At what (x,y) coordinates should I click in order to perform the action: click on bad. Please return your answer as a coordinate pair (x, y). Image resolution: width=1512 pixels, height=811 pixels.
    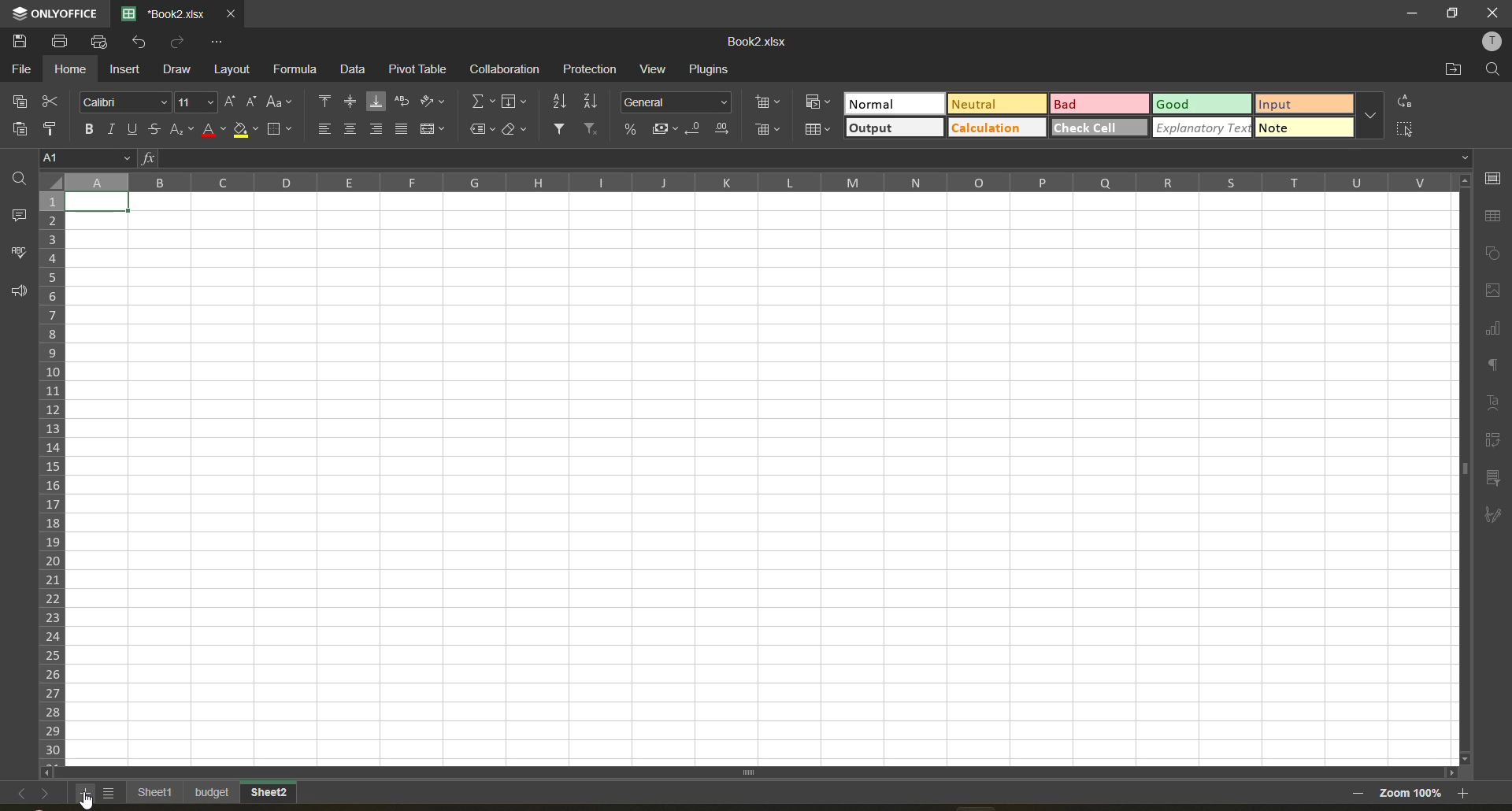
    Looking at the image, I should click on (1097, 104).